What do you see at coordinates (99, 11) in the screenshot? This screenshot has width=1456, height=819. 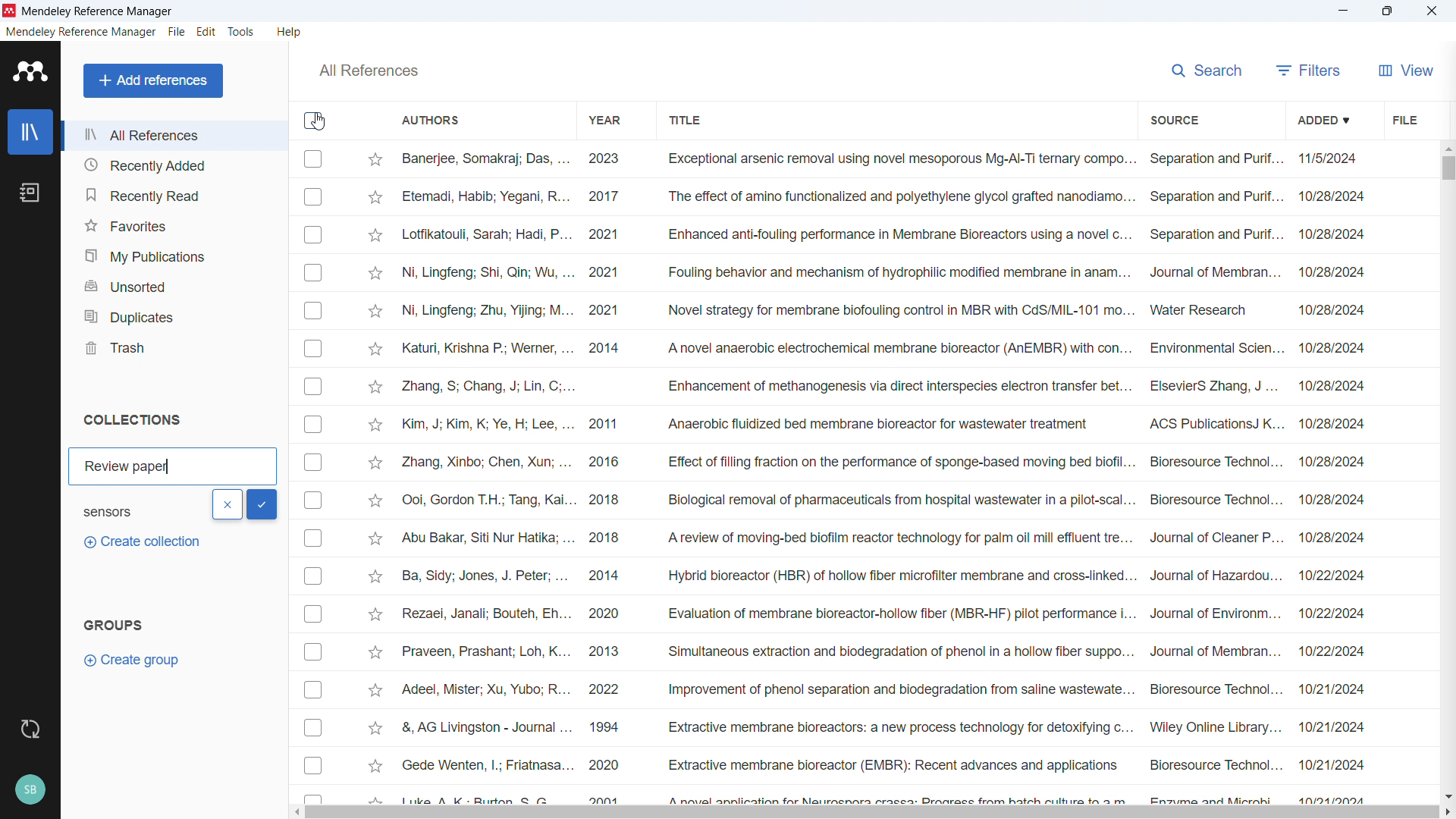 I see `Mendeley reference` at bounding box center [99, 11].